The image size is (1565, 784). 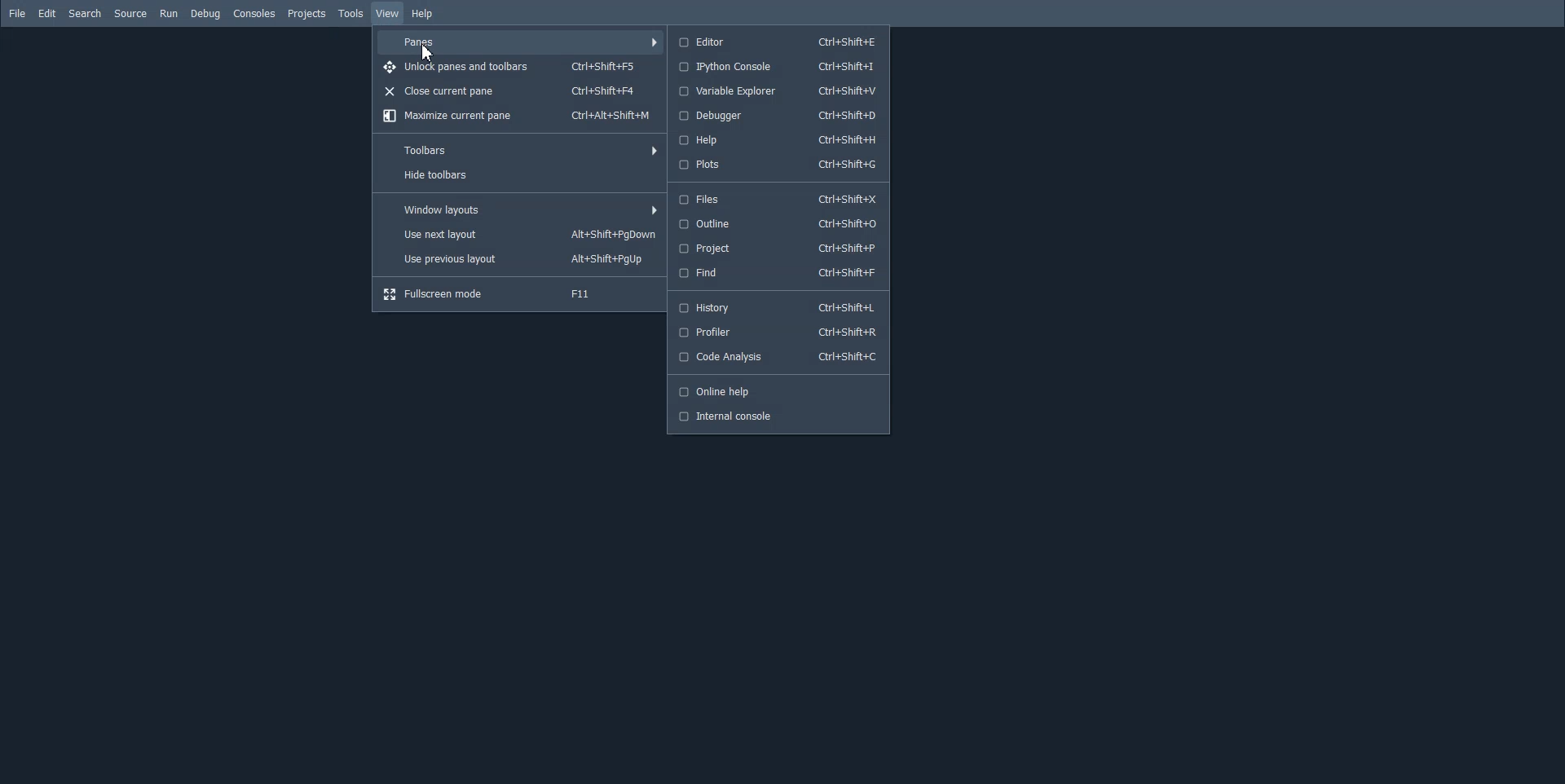 What do you see at coordinates (519, 117) in the screenshot?
I see `Maximize current pane` at bounding box center [519, 117].